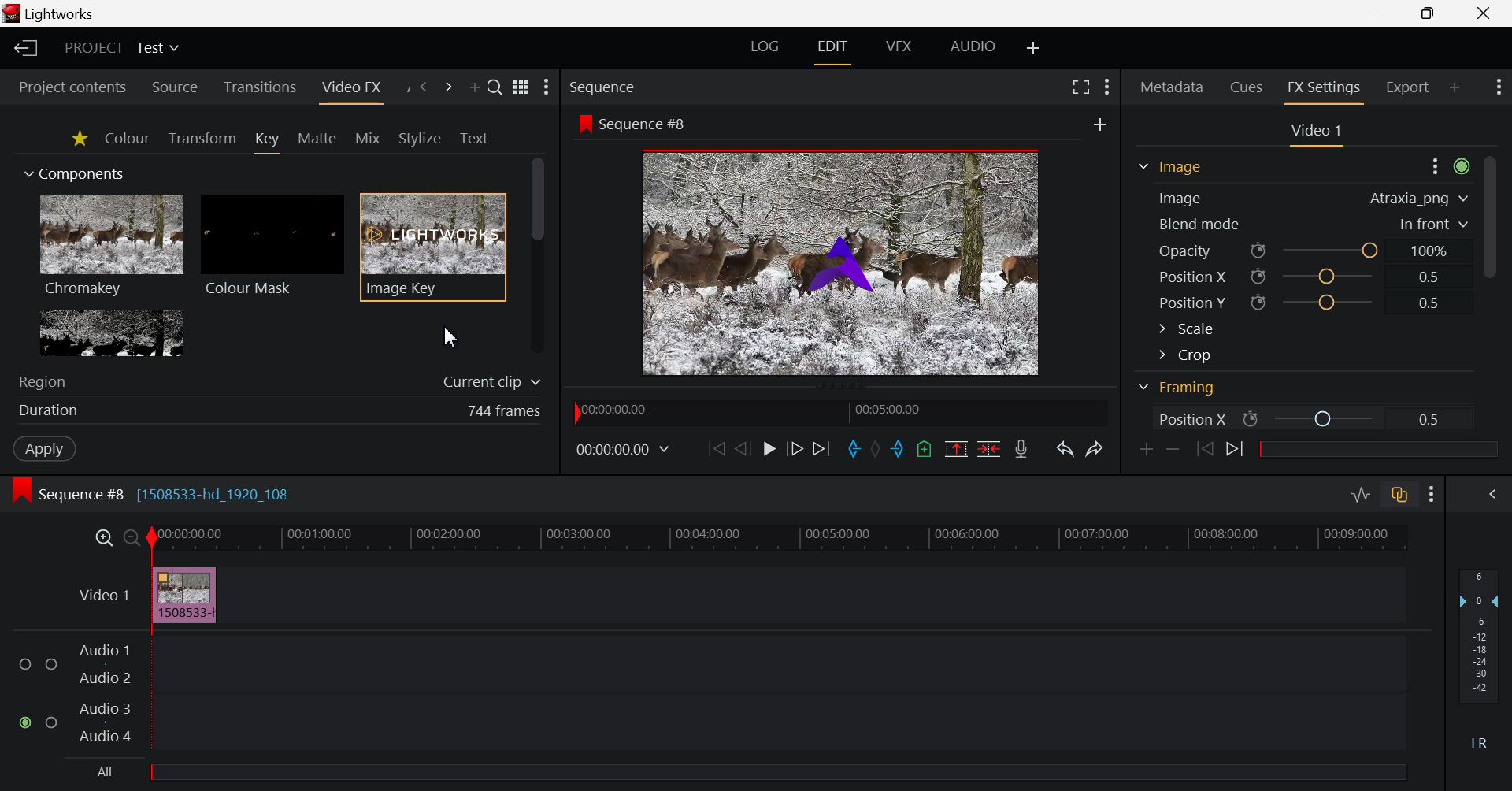 Image resolution: width=1512 pixels, height=791 pixels. What do you see at coordinates (81, 171) in the screenshot?
I see `Components Section` at bounding box center [81, 171].